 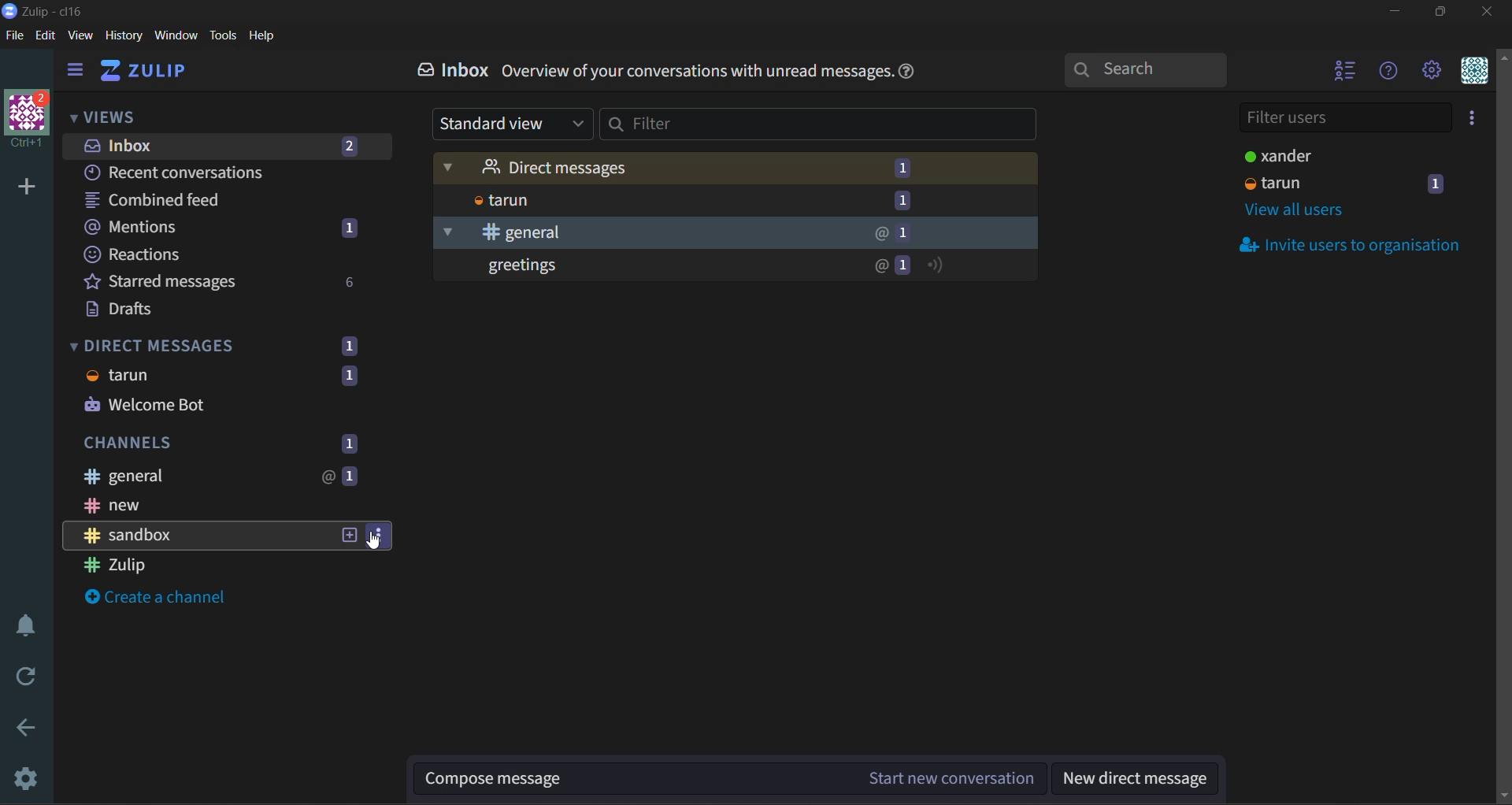 I want to click on create a channel, so click(x=155, y=600).